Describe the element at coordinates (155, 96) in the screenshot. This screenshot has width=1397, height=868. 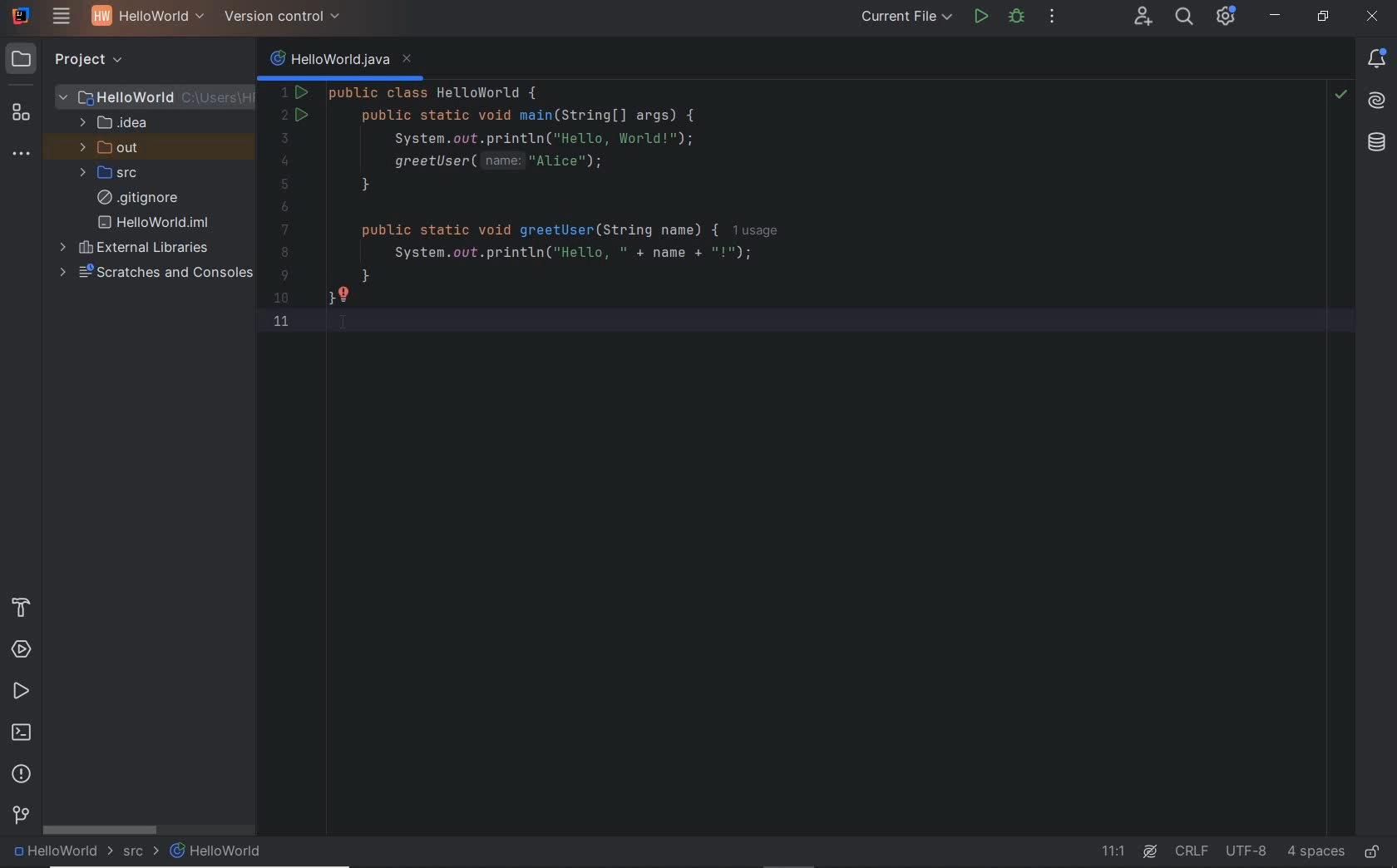
I see `HelloWorld(project folder)` at that location.